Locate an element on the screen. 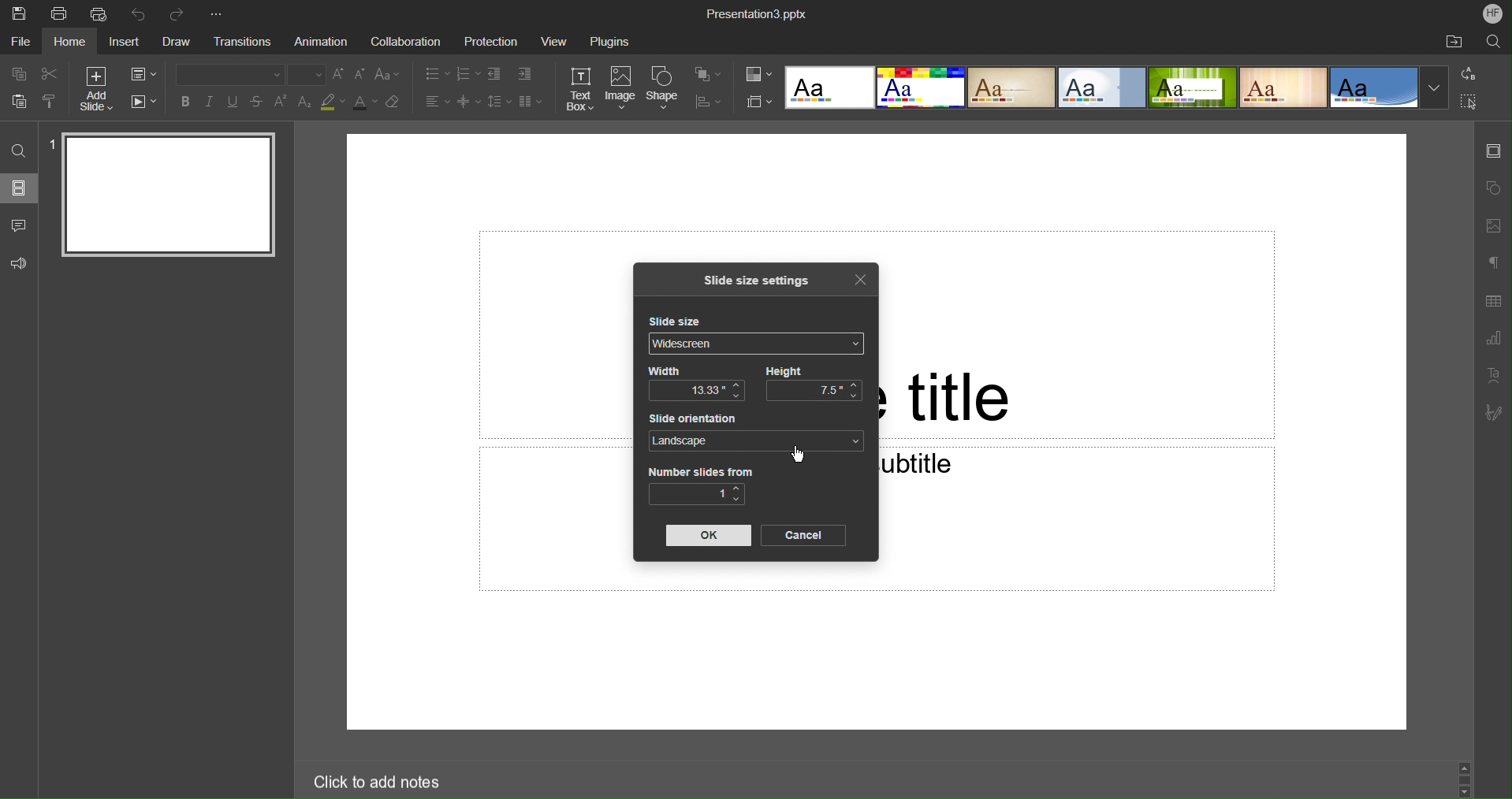 Image resolution: width=1512 pixels, height=799 pixels. Table is located at coordinates (1493, 301).